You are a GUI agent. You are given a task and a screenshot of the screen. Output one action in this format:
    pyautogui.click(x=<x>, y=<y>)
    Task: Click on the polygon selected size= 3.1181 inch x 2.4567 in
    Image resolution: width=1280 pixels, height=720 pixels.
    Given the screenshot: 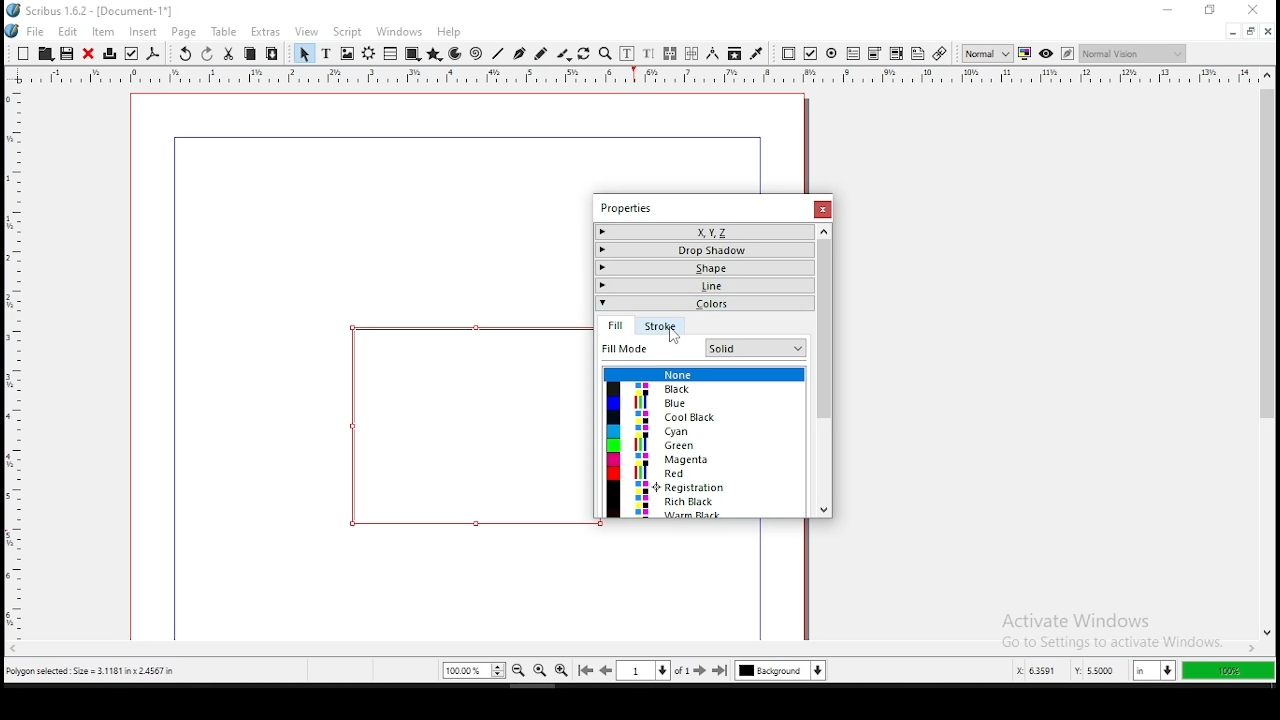 What is the action you would take?
    pyautogui.click(x=94, y=673)
    